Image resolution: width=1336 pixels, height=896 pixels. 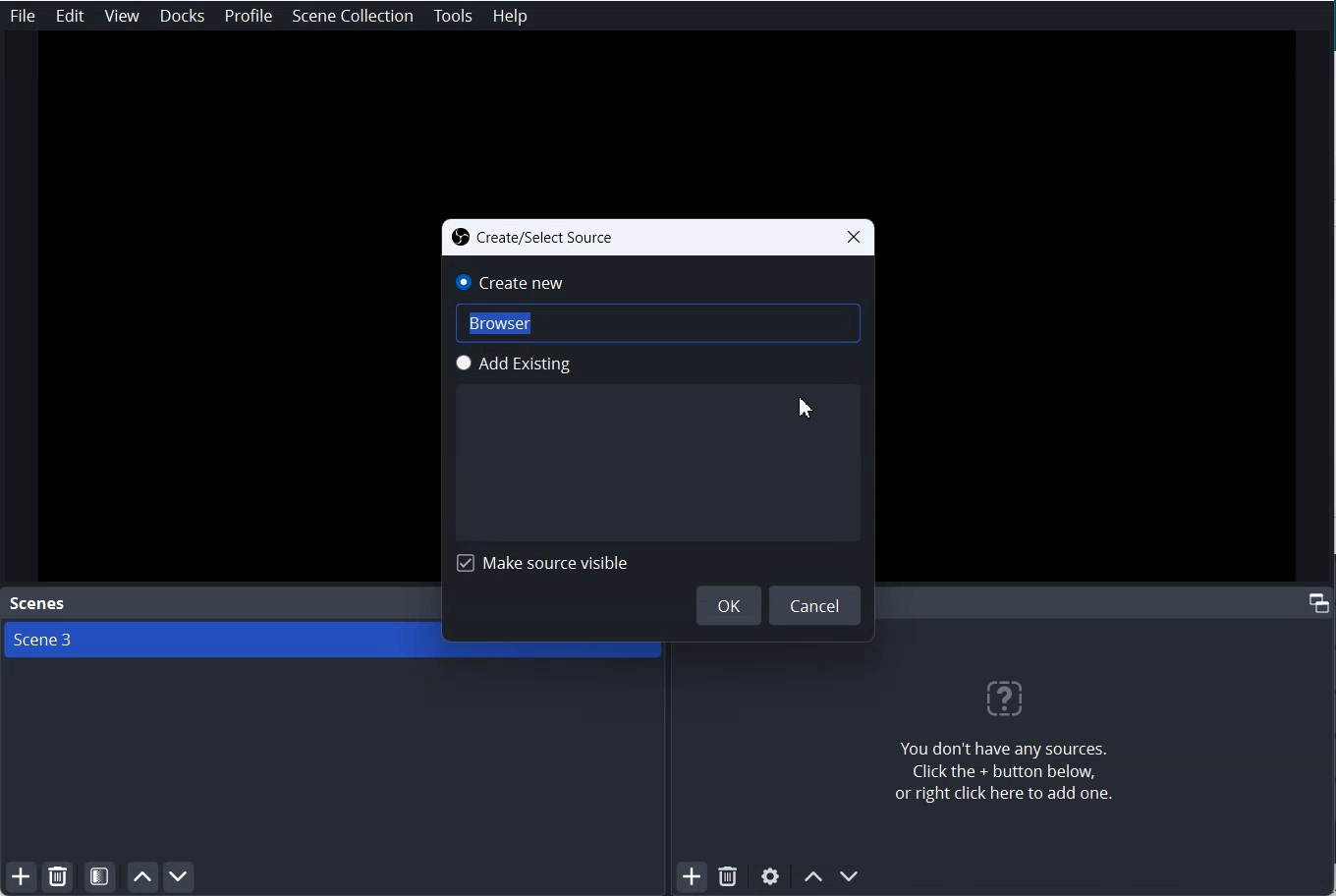 What do you see at coordinates (523, 284) in the screenshot?
I see `(un)check Create new` at bounding box center [523, 284].